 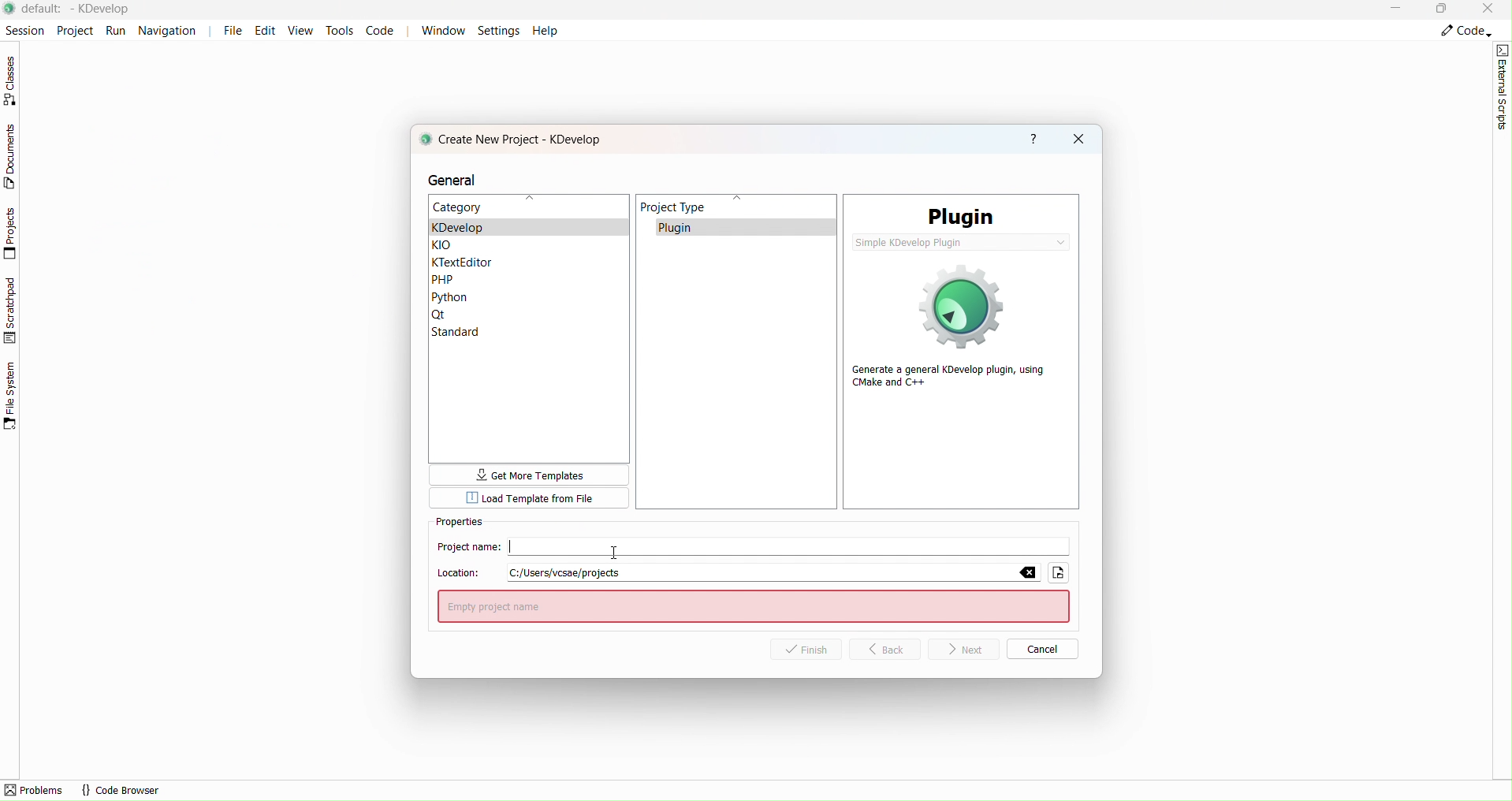 What do you see at coordinates (464, 178) in the screenshot?
I see `general` at bounding box center [464, 178].